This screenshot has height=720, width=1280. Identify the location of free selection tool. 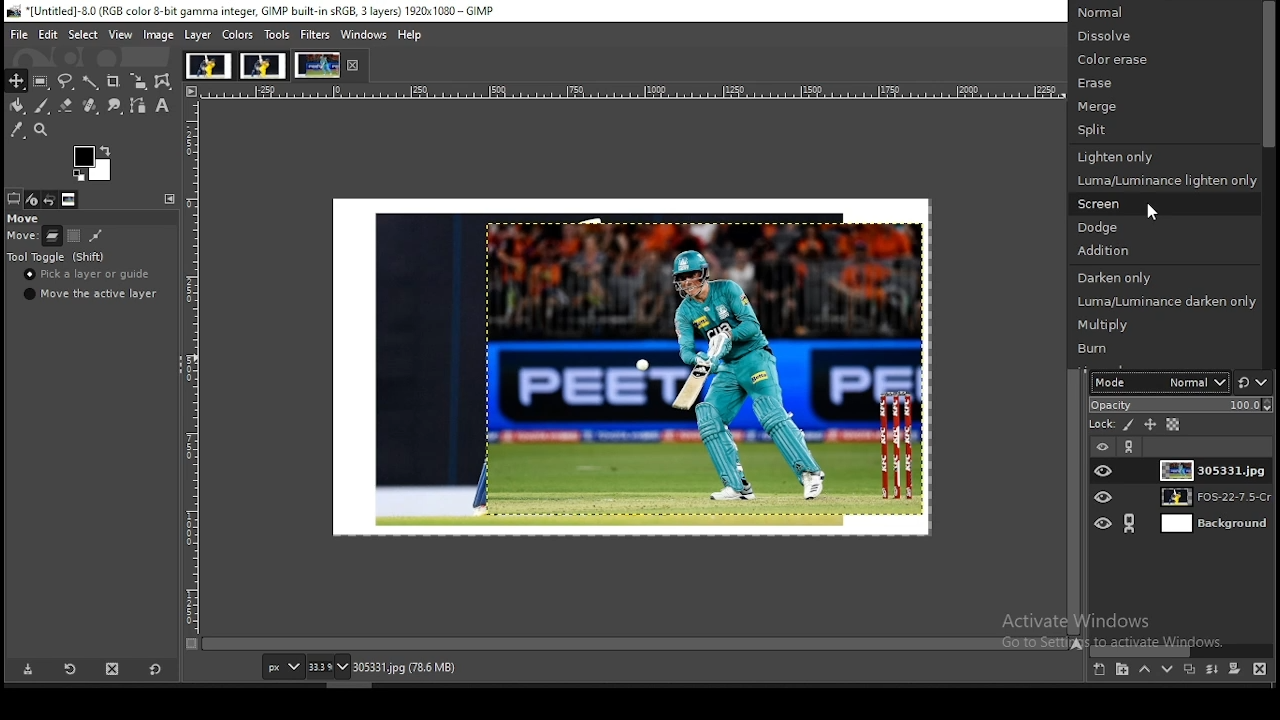
(67, 80).